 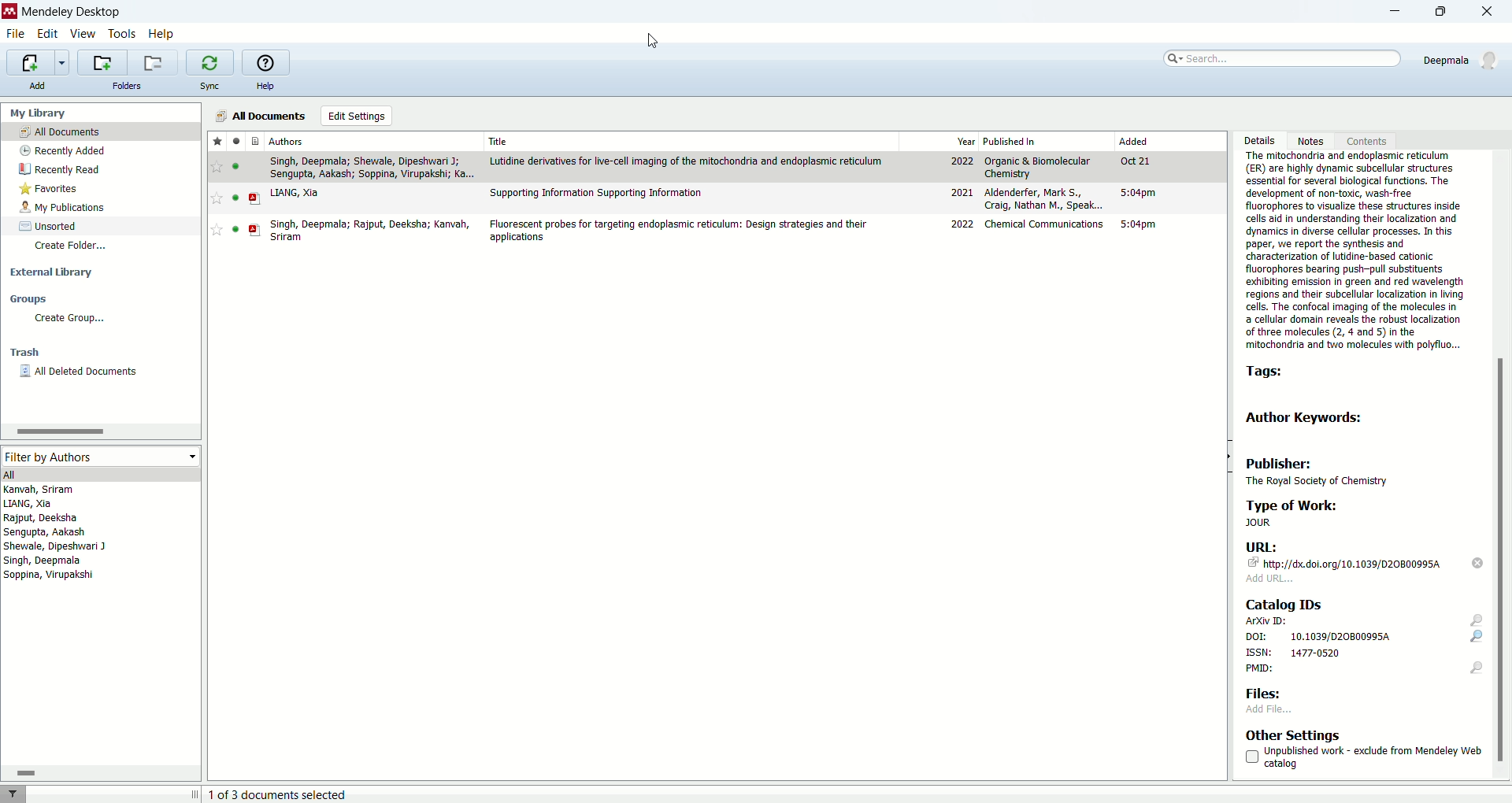 I want to click on organic & biomolecular chemistry, so click(x=1037, y=168).